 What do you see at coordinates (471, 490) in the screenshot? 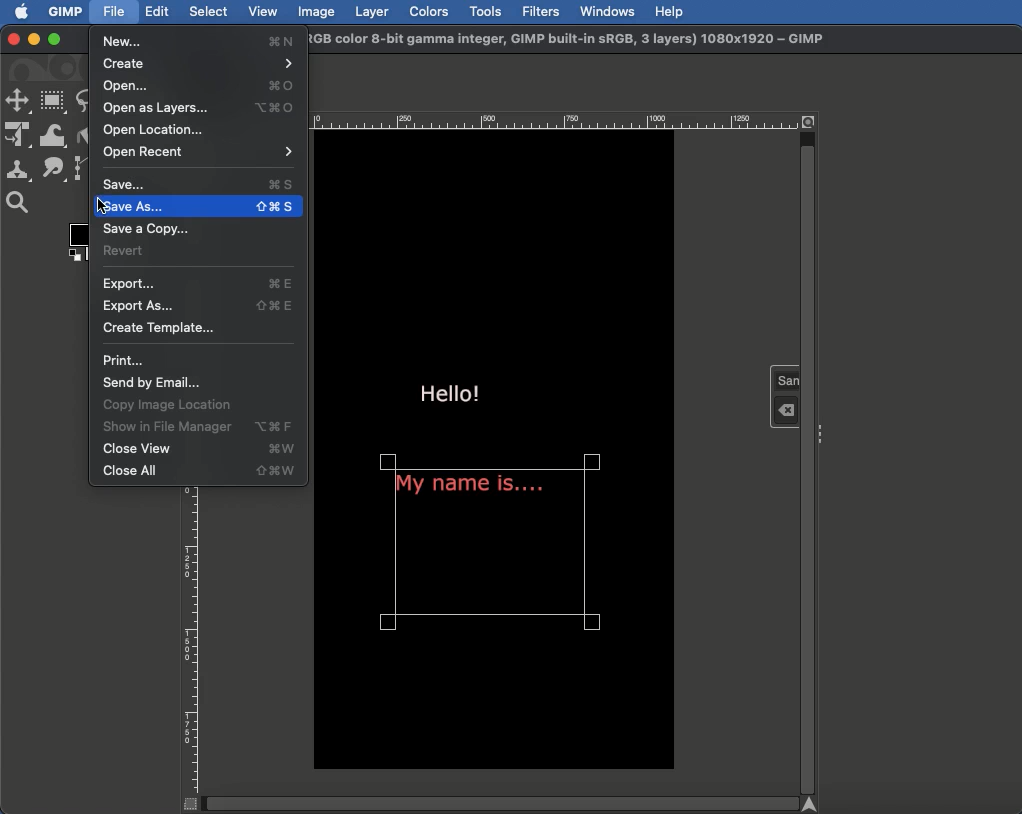
I see `My name is...` at bounding box center [471, 490].